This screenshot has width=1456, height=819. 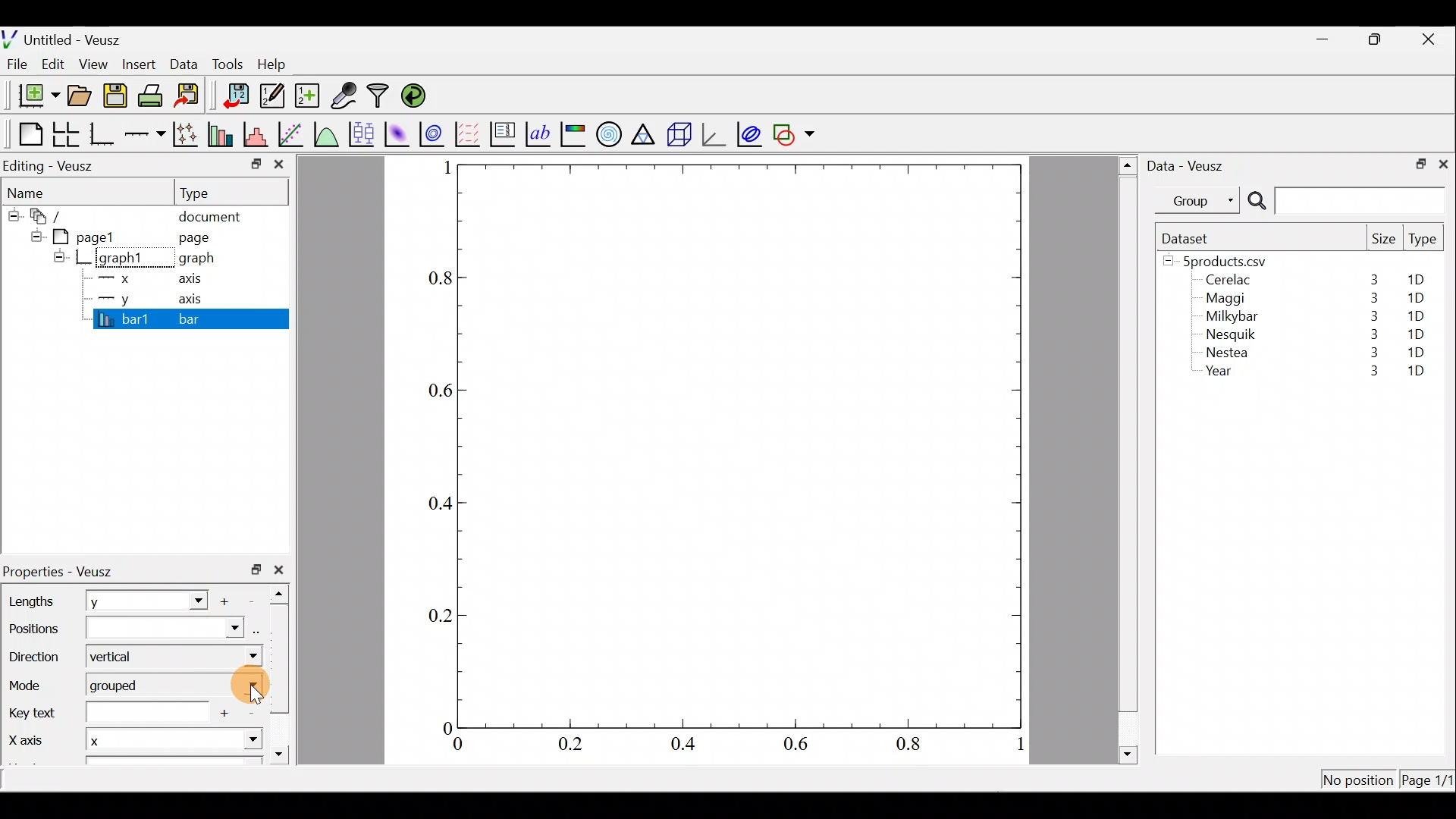 What do you see at coordinates (1018, 747) in the screenshot?
I see `1` at bounding box center [1018, 747].